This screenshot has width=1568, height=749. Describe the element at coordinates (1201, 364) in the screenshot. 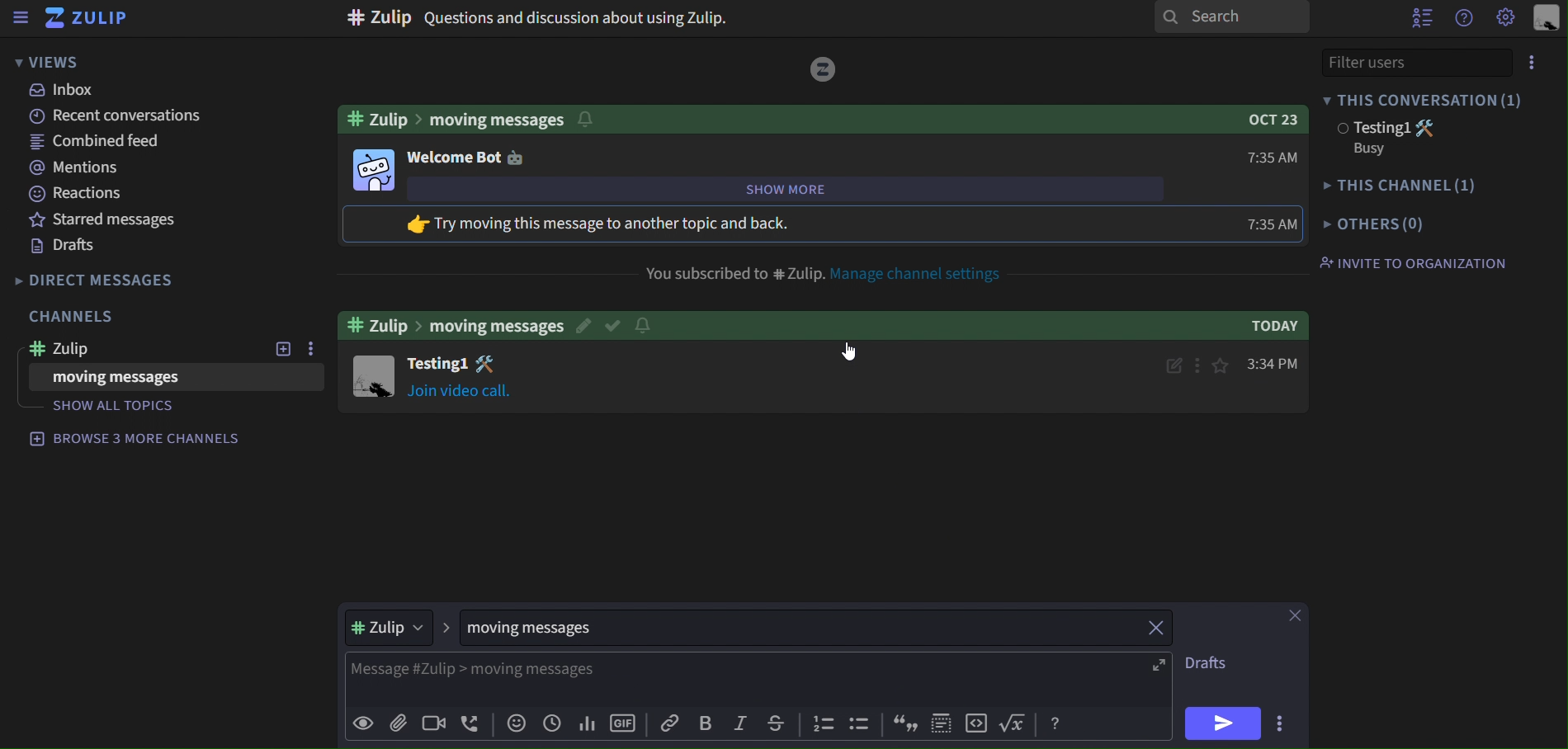

I see `more options` at that location.